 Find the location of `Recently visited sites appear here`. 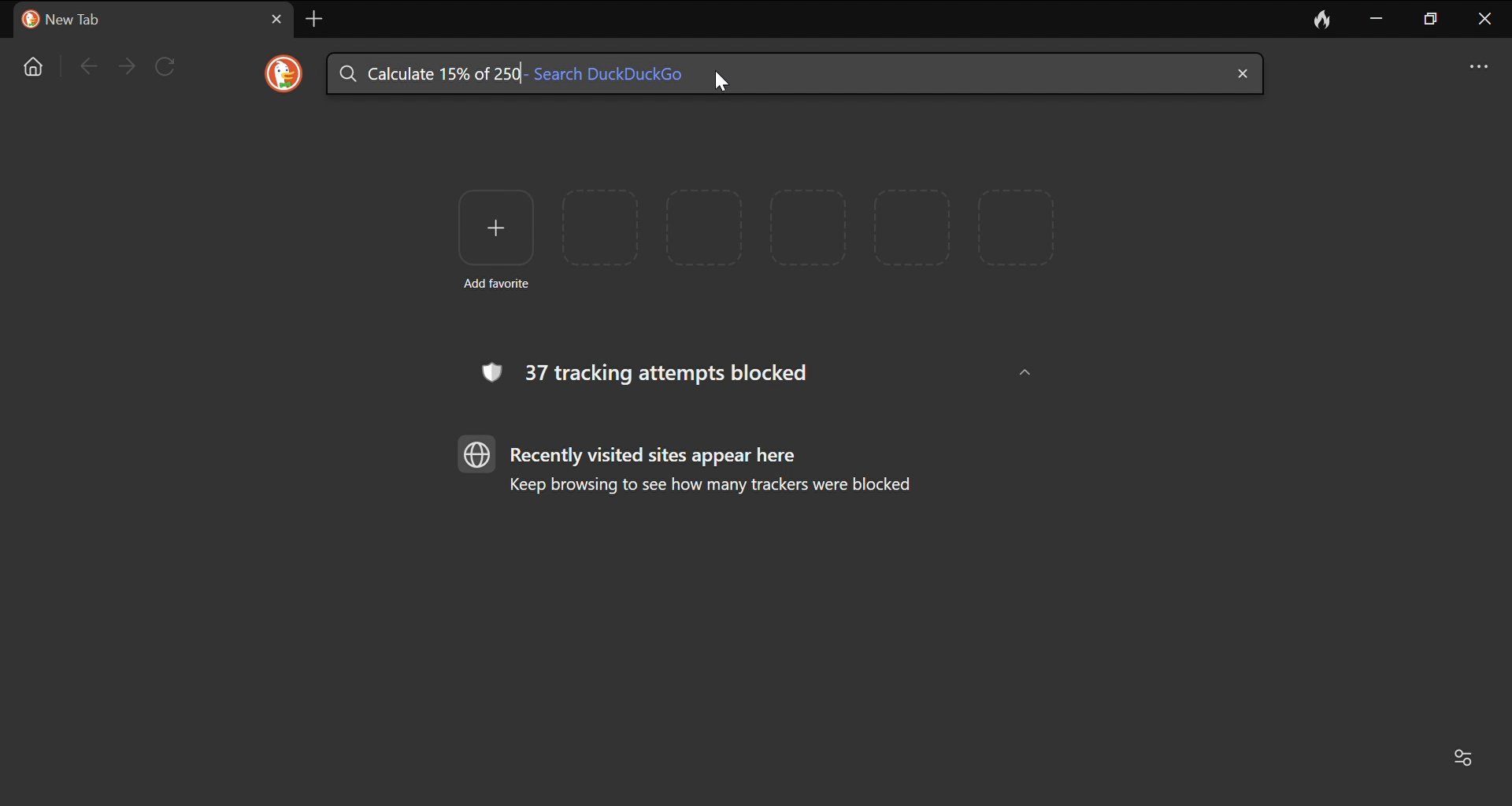

Recently visited sites appear here is located at coordinates (658, 456).